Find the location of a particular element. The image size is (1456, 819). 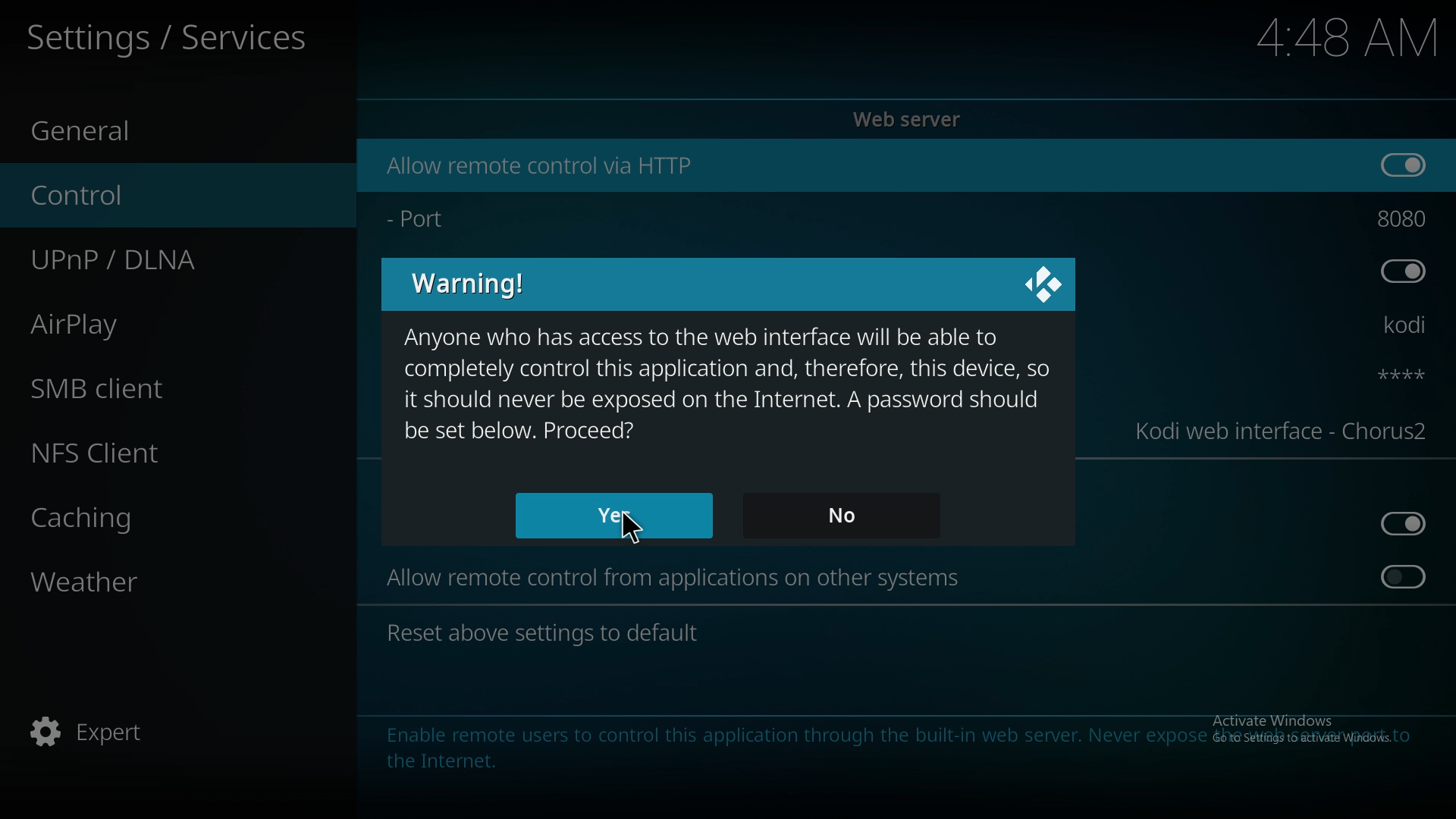

weather is located at coordinates (117, 582).